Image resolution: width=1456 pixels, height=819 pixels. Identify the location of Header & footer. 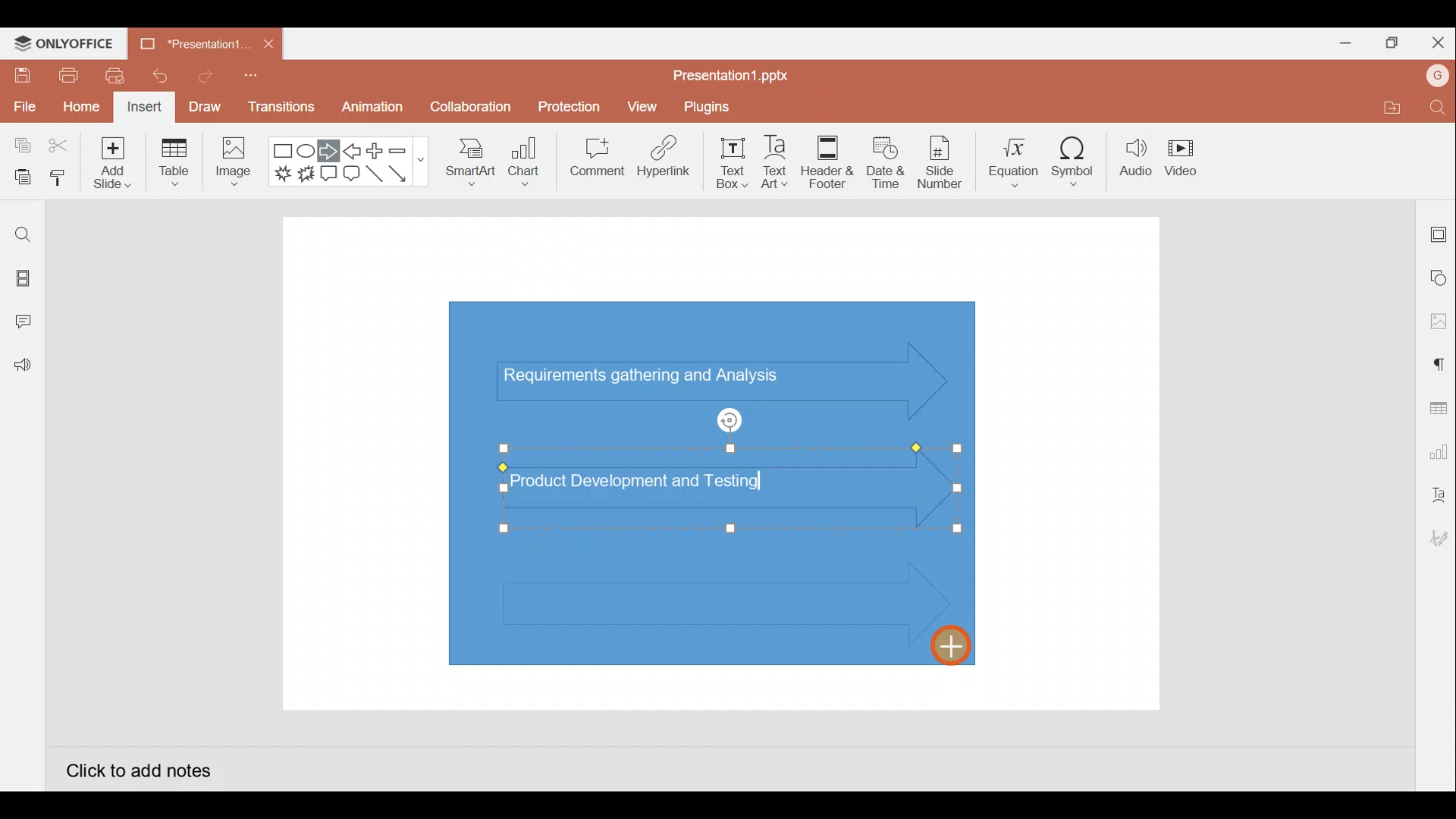
(828, 158).